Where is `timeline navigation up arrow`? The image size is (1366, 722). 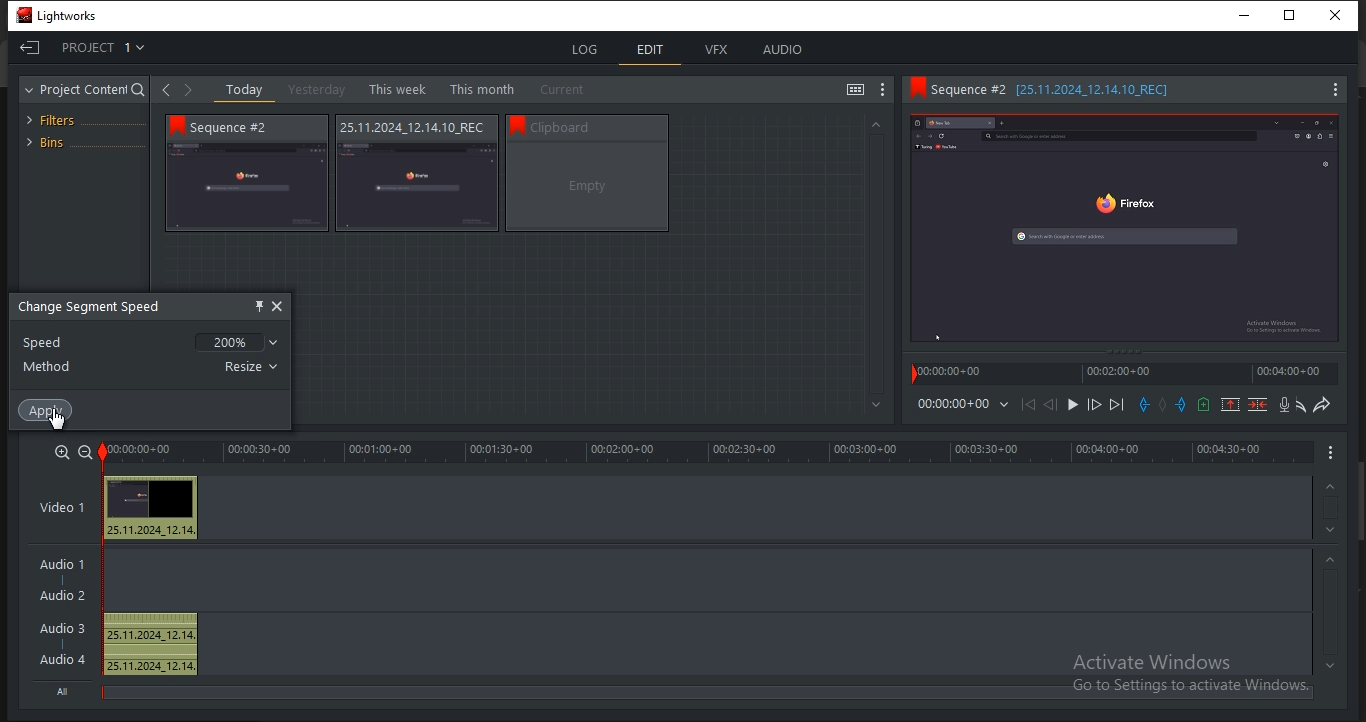
timeline navigation up arrow is located at coordinates (1330, 559).